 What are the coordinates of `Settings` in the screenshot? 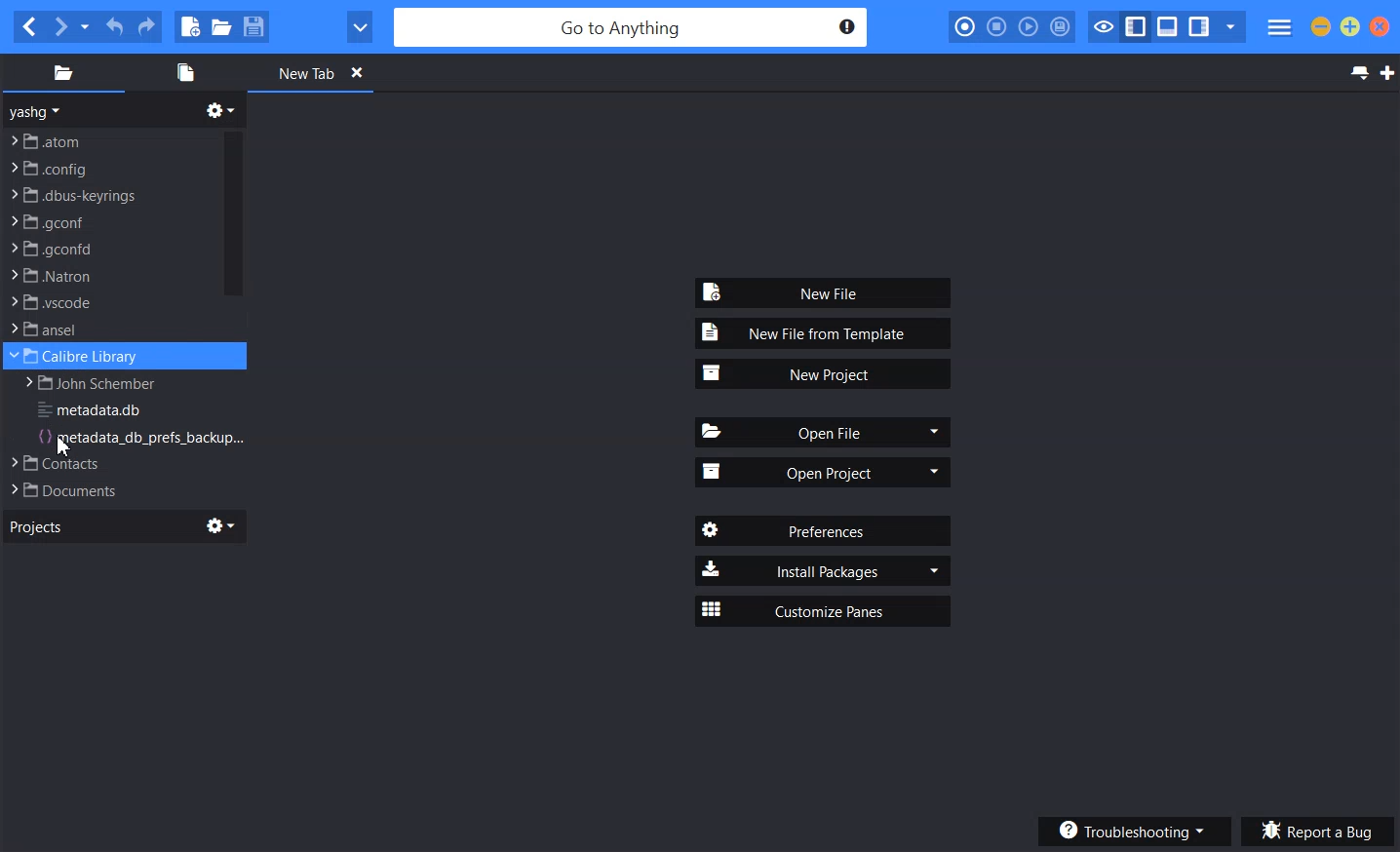 It's located at (221, 525).